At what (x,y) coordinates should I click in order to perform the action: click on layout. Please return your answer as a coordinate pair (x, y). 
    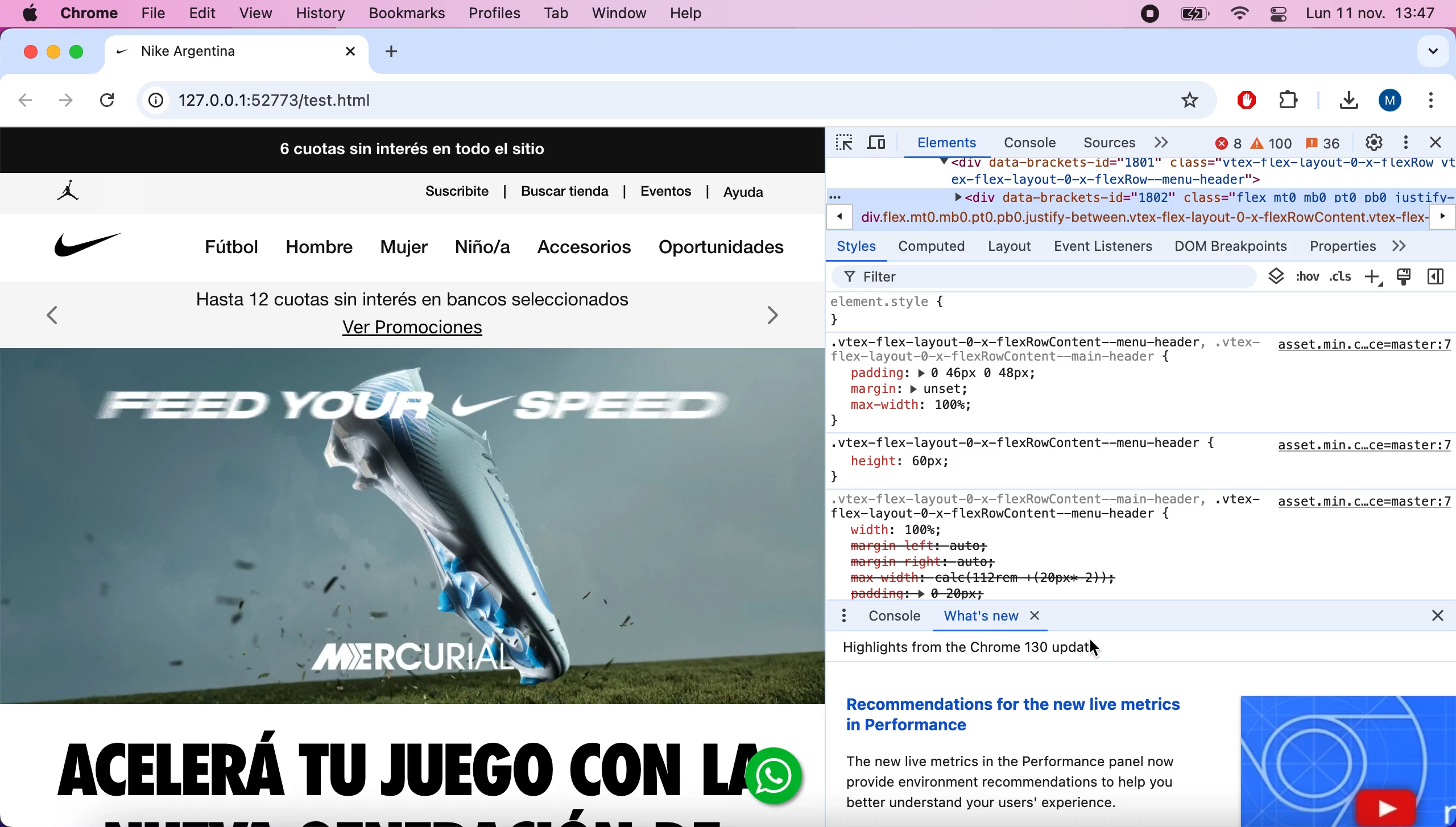
    Looking at the image, I should click on (1013, 247).